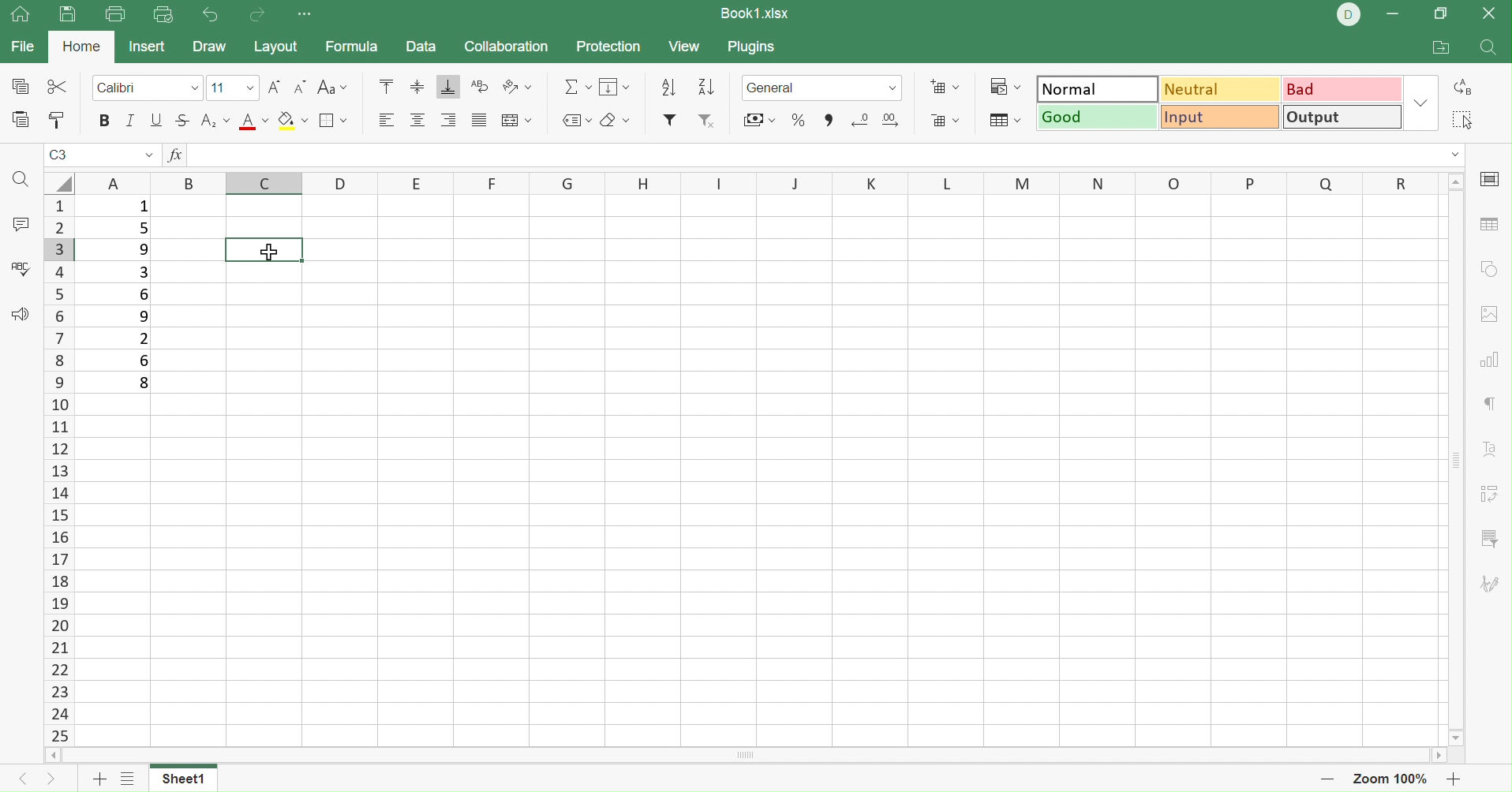 Image resolution: width=1512 pixels, height=792 pixels. I want to click on Scroll right, so click(1440, 754).